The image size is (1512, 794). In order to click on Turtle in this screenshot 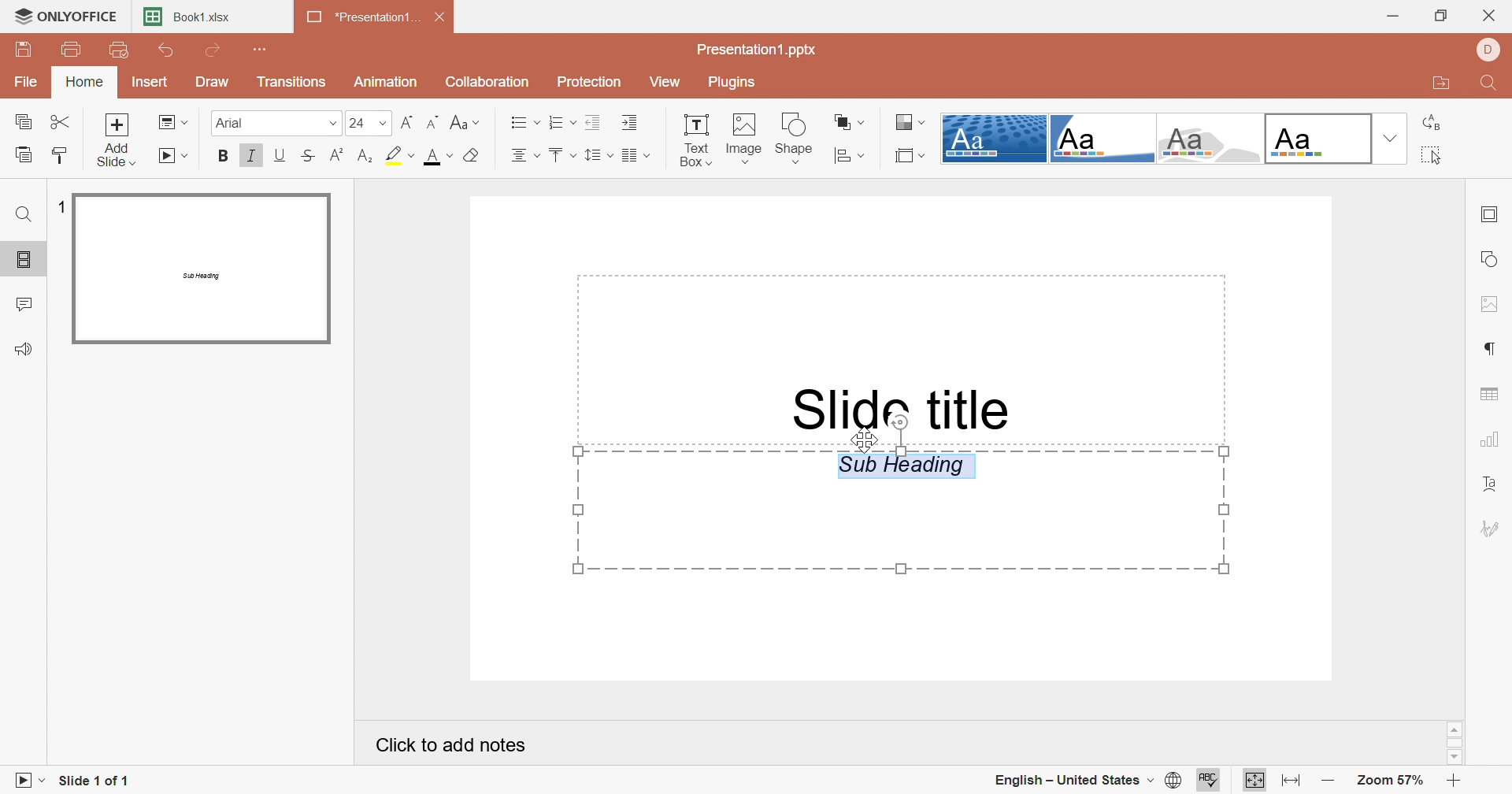, I will do `click(1102, 137)`.